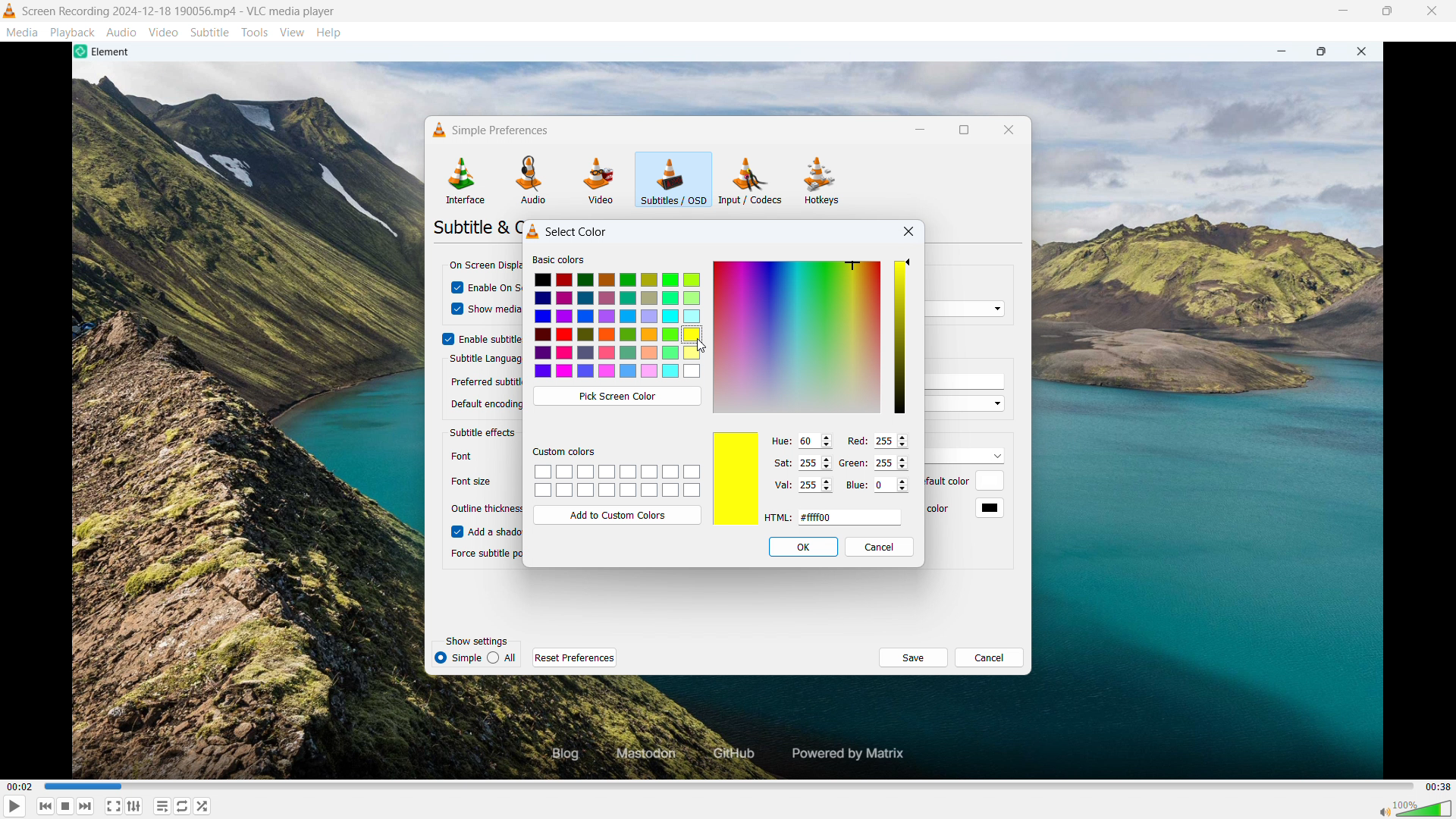  Describe the element at coordinates (777, 516) in the screenshot. I see `HTNL` at that location.